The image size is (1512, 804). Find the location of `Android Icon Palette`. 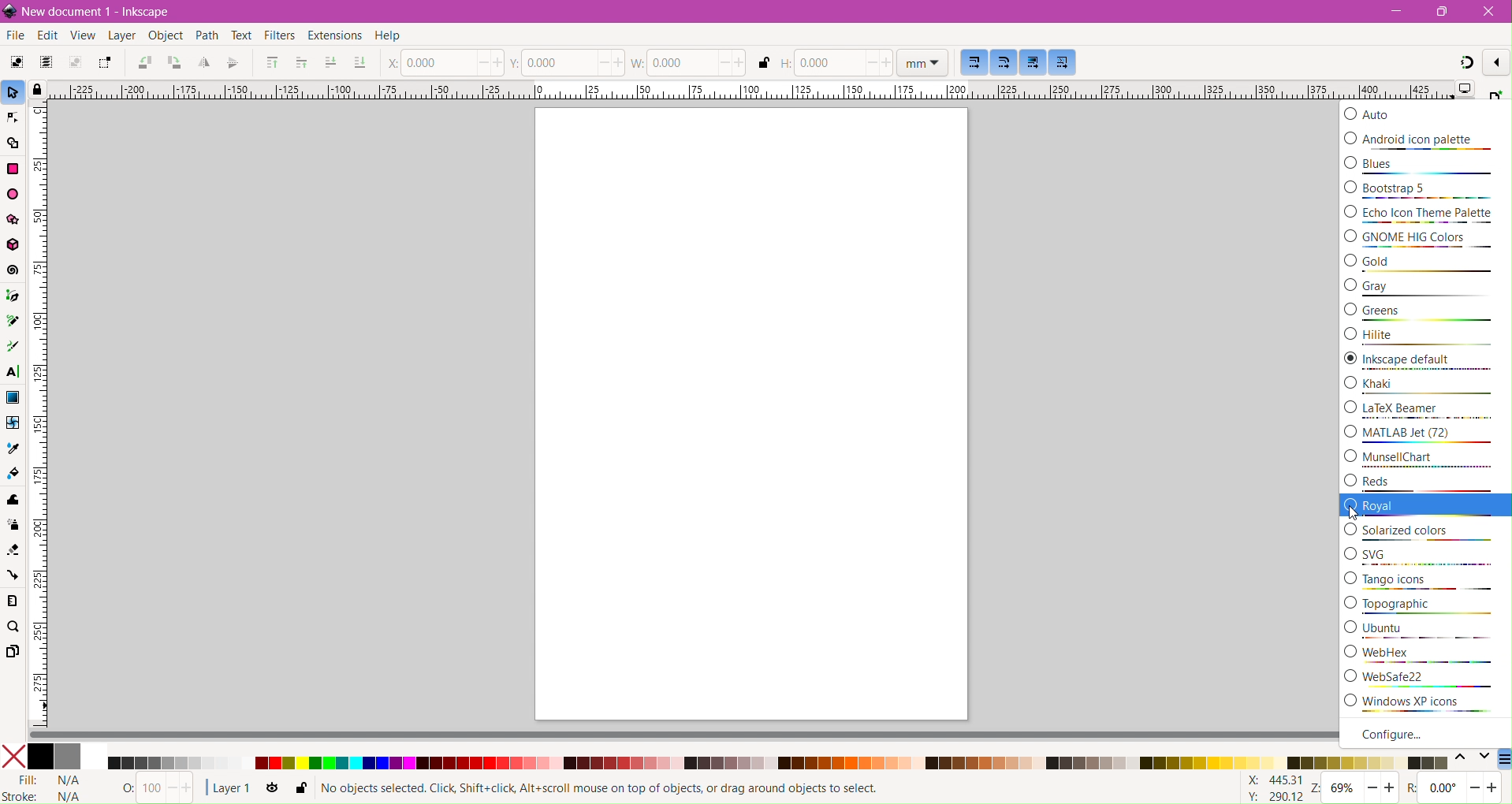

Android Icon Palette is located at coordinates (1421, 140).